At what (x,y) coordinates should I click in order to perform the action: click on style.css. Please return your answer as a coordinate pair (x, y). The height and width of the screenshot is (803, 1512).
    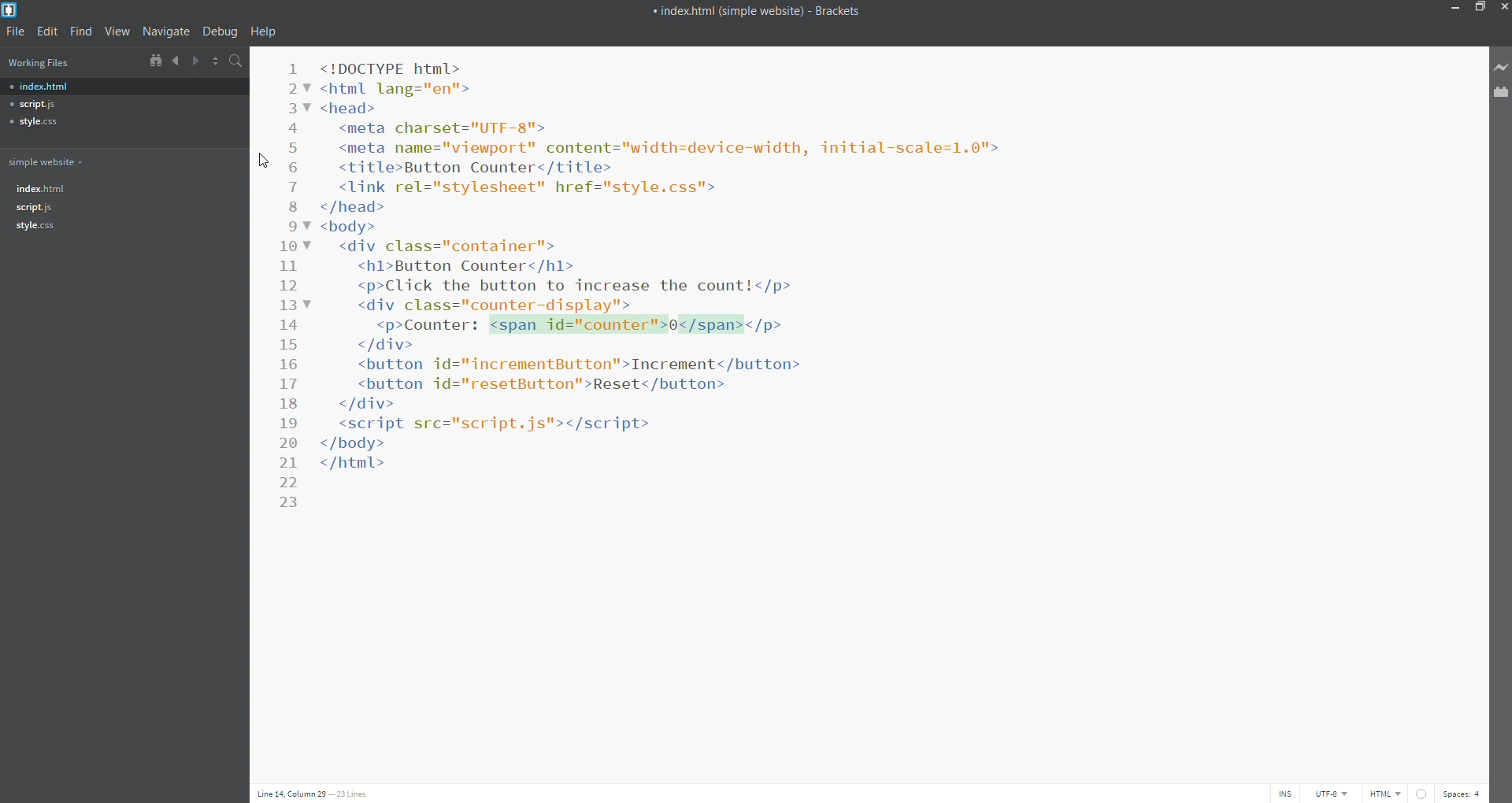
    Looking at the image, I should click on (100, 126).